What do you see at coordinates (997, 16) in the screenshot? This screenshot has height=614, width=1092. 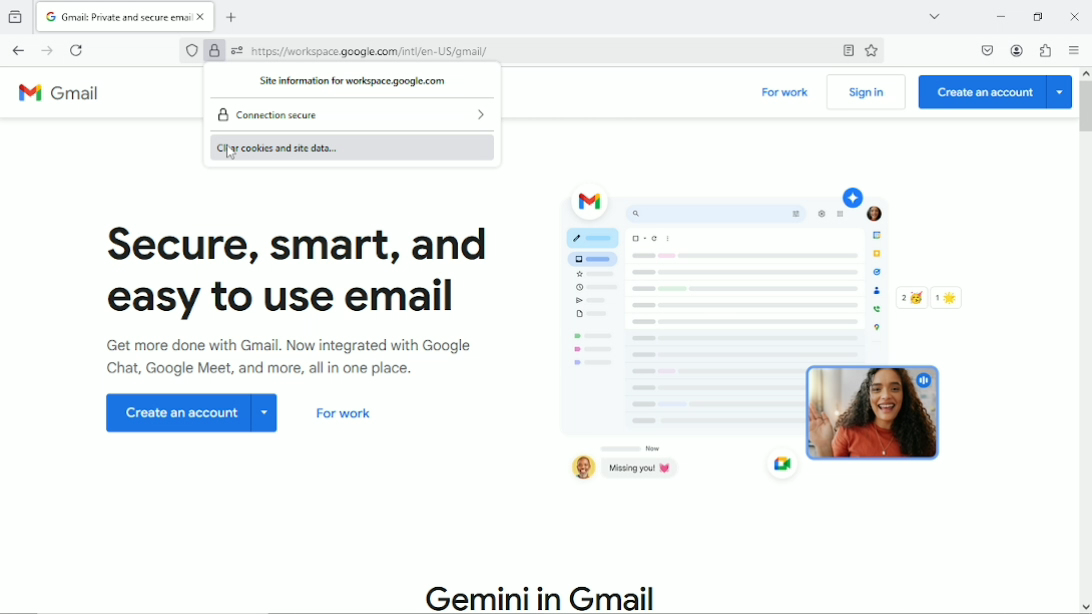 I see `Minimize` at bounding box center [997, 16].